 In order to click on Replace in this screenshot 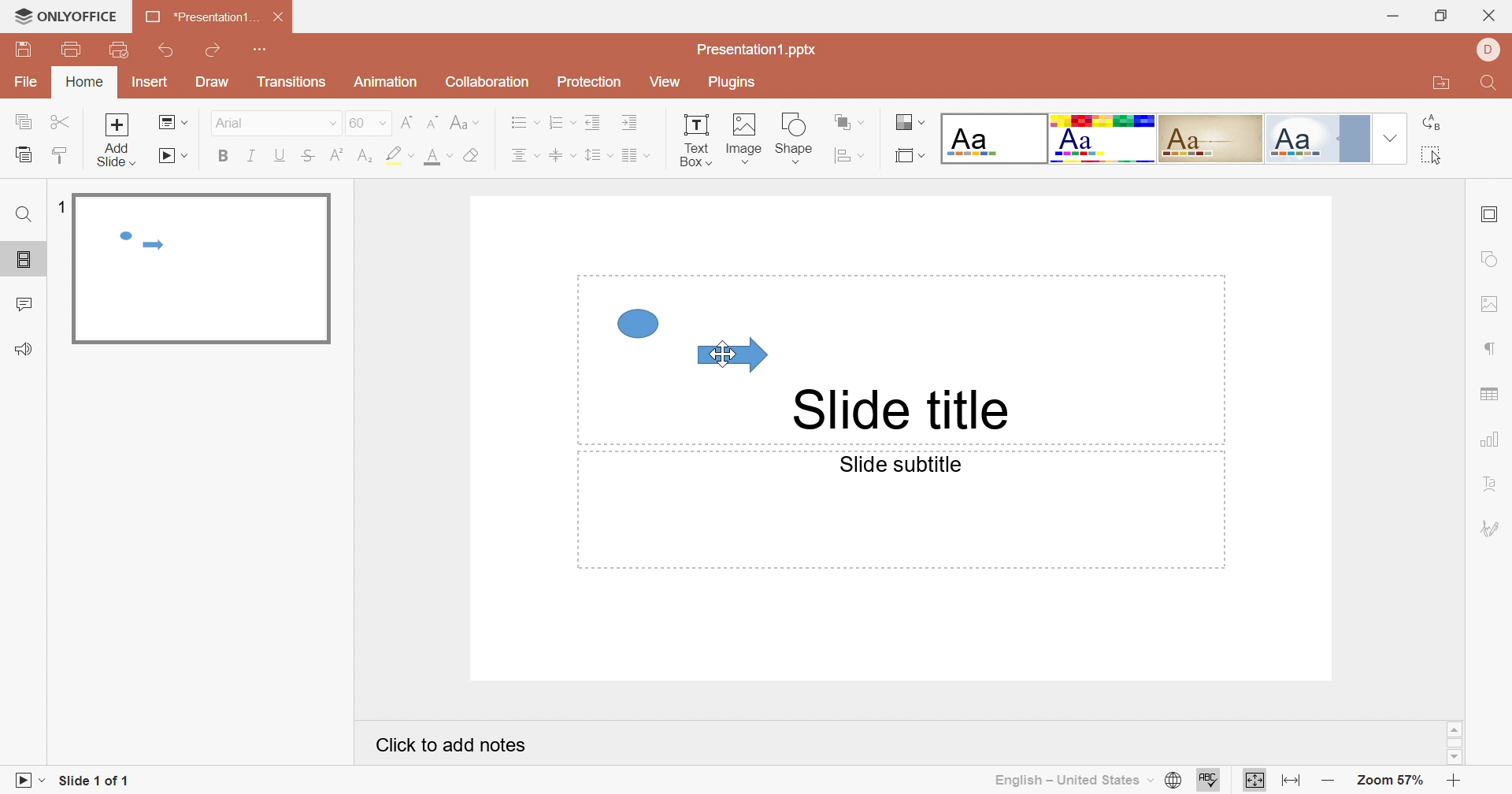, I will do `click(1430, 123)`.